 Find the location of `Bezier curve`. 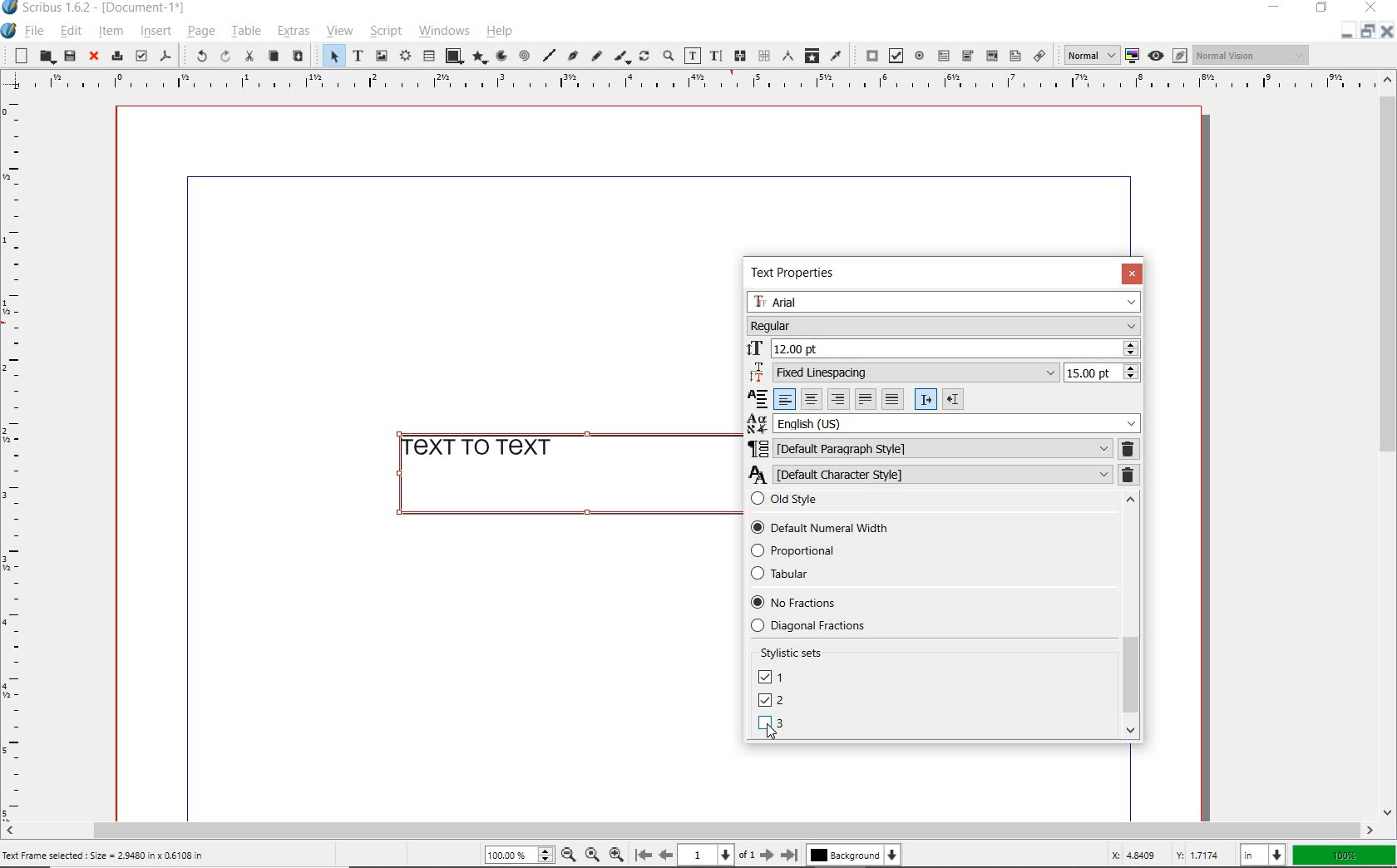

Bezier curve is located at coordinates (572, 57).